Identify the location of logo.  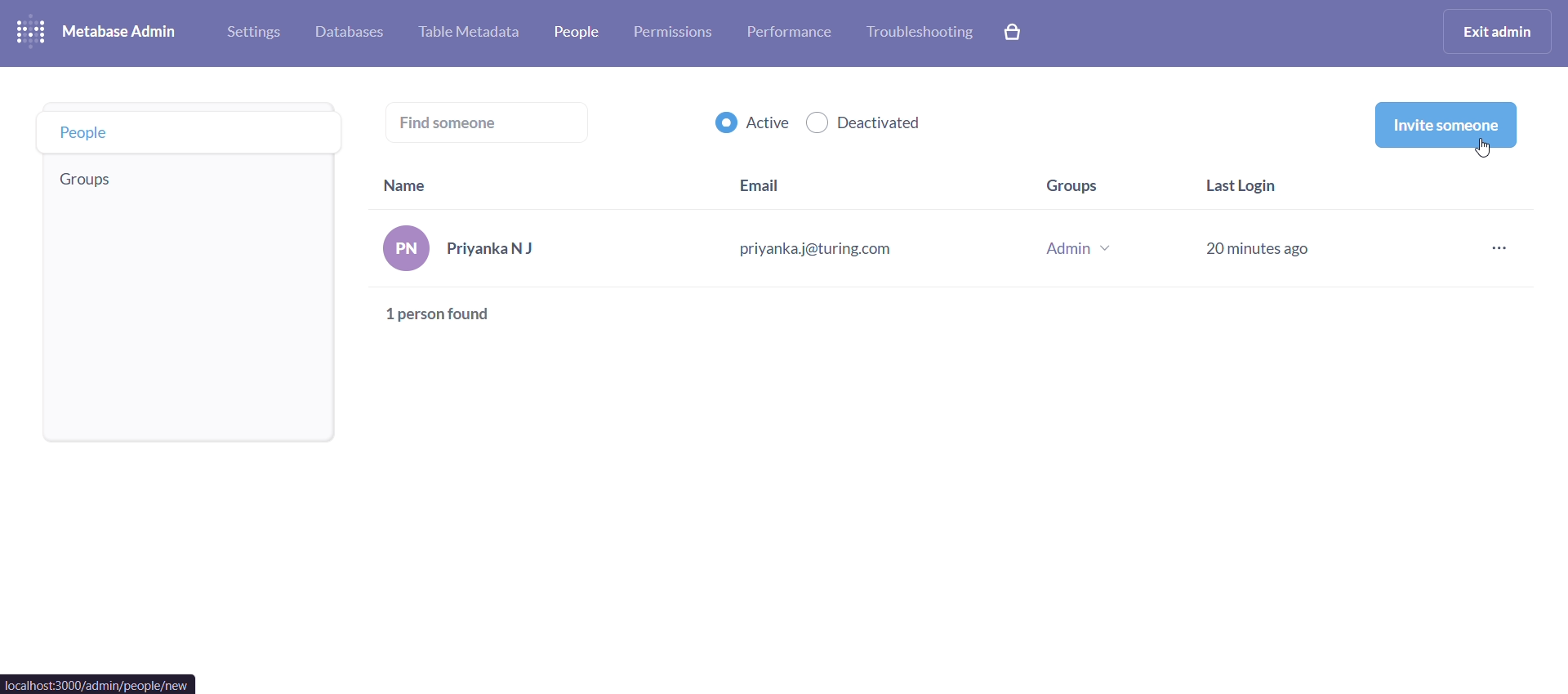
(34, 33).